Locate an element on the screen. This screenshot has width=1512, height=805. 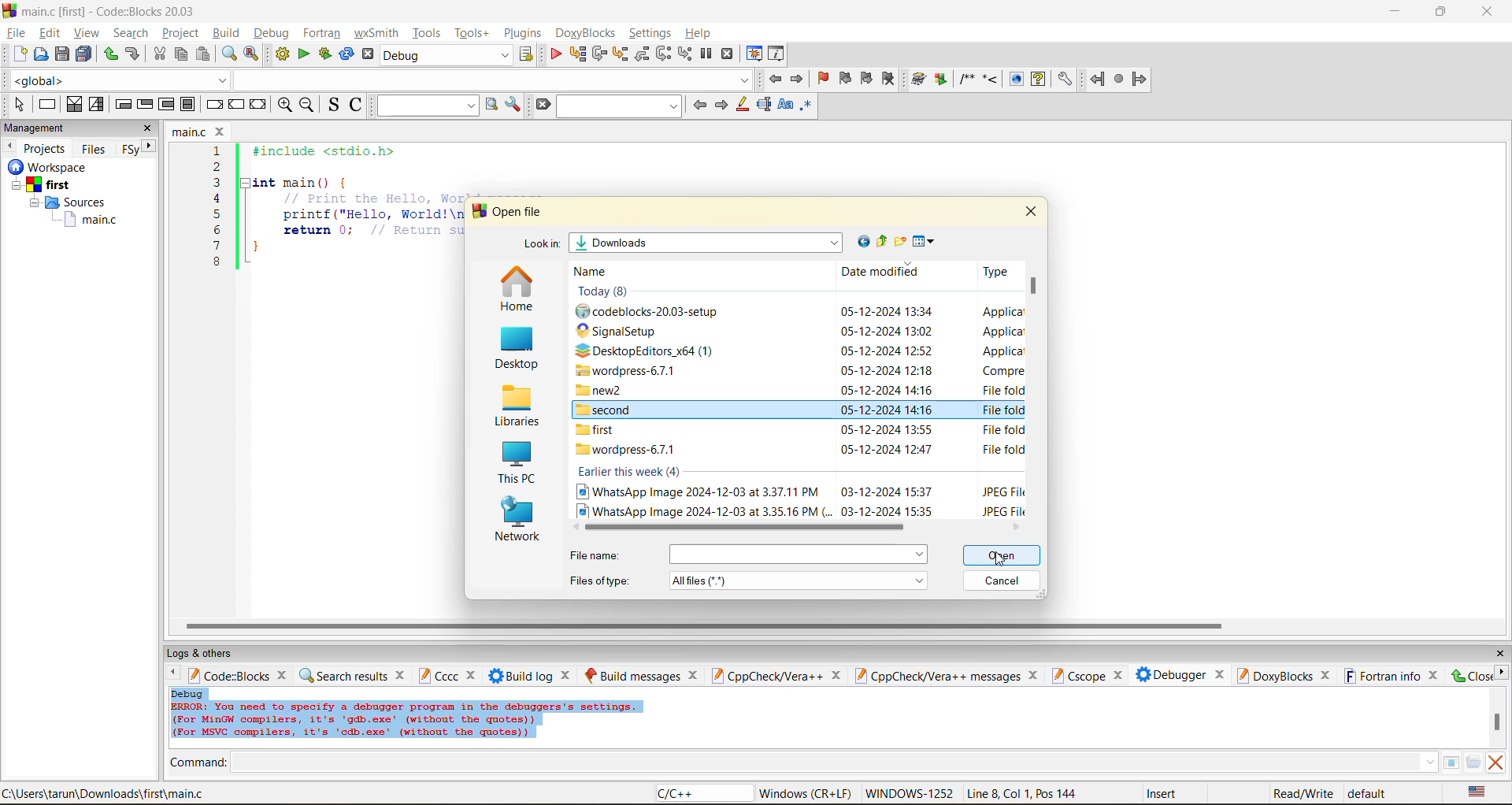
Desktop editors x64 is located at coordinates (650, 351).